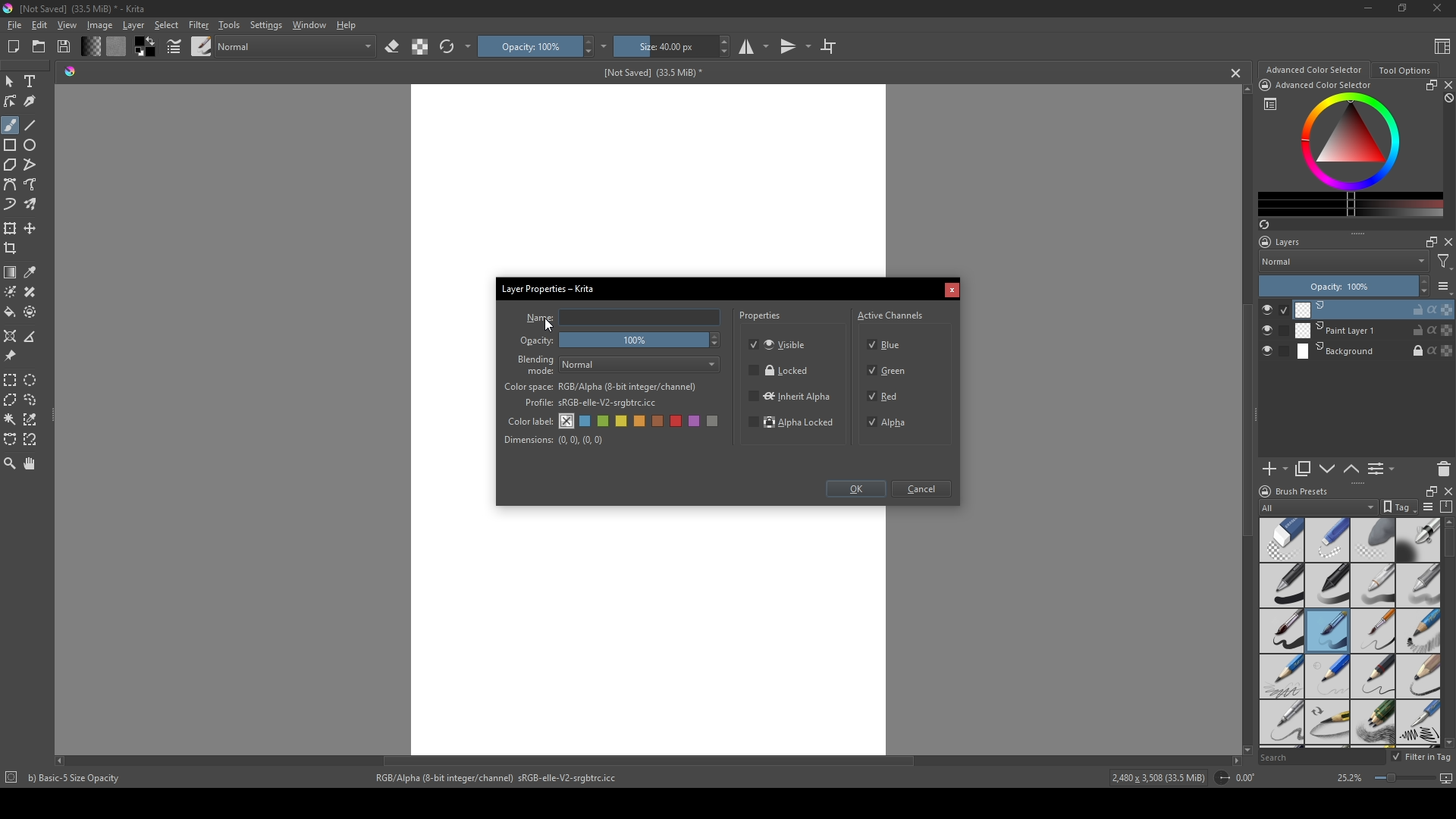  I want to click on hard eraser, so click(1326, 539).